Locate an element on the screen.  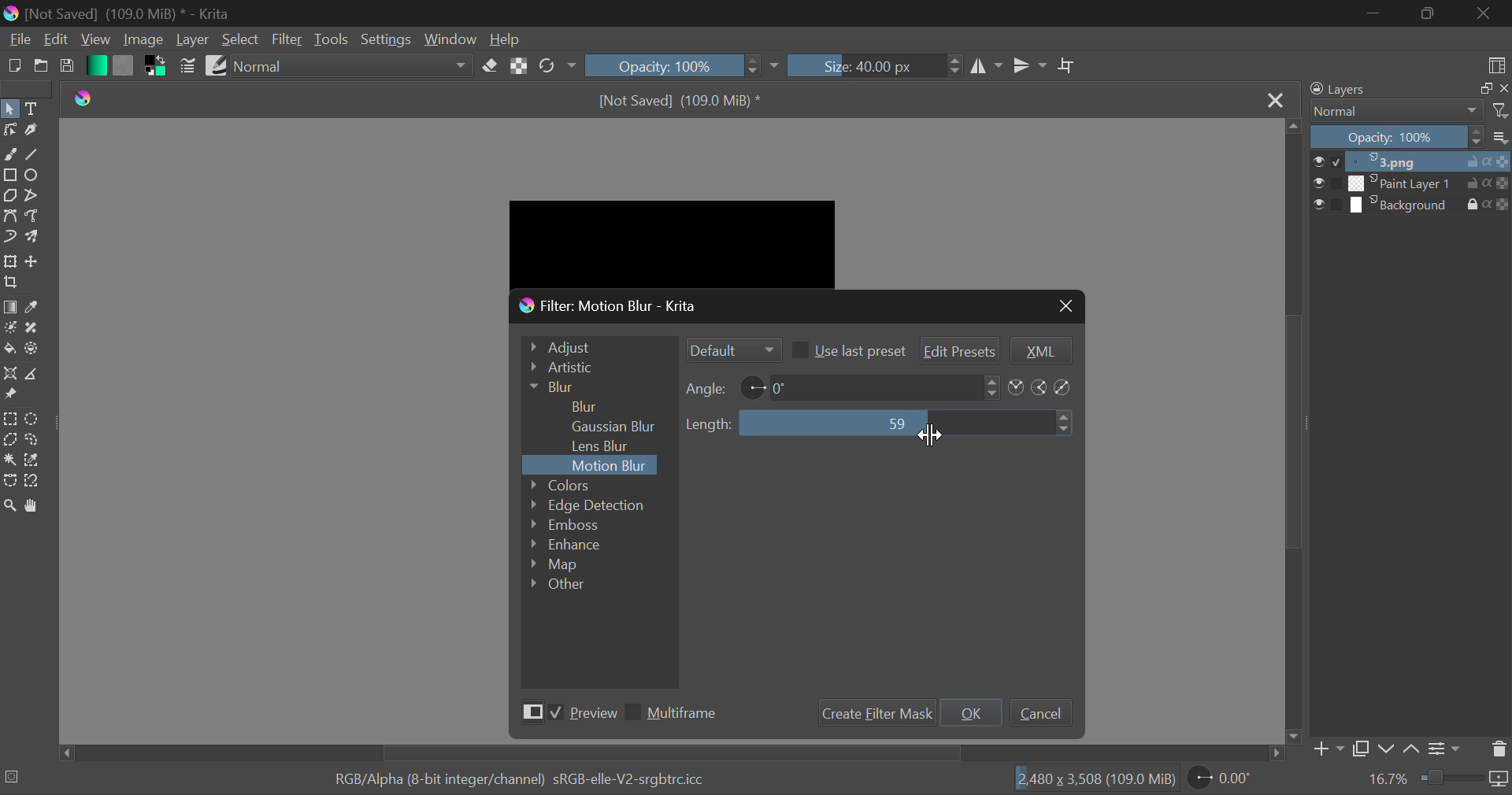
Choose Workspace is located at coordinates (1496, 65).